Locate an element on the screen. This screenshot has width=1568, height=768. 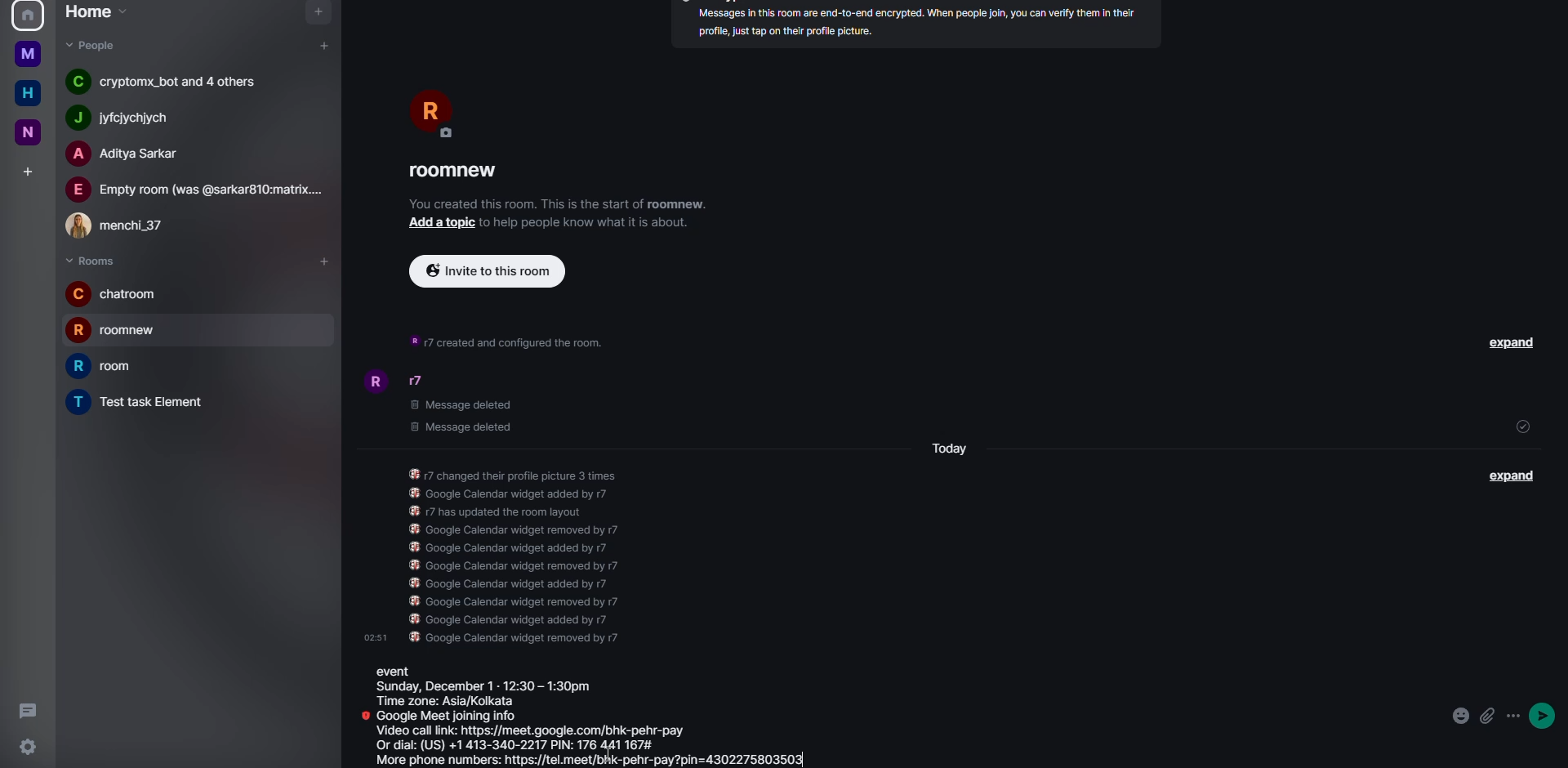
deleted is located at coordinates (466, 415).